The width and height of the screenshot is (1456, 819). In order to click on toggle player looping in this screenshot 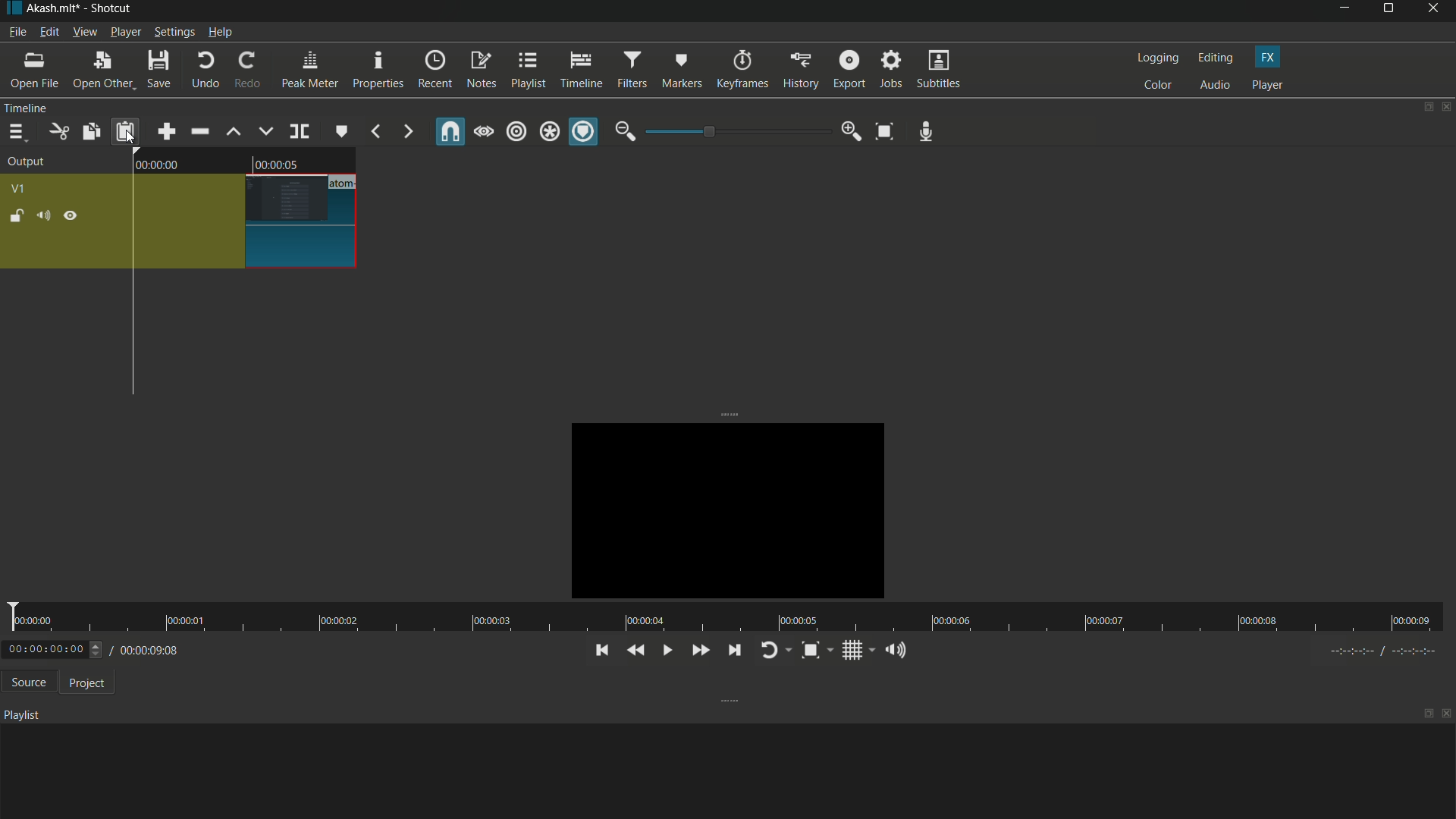, I will do `click(773, 651)`.